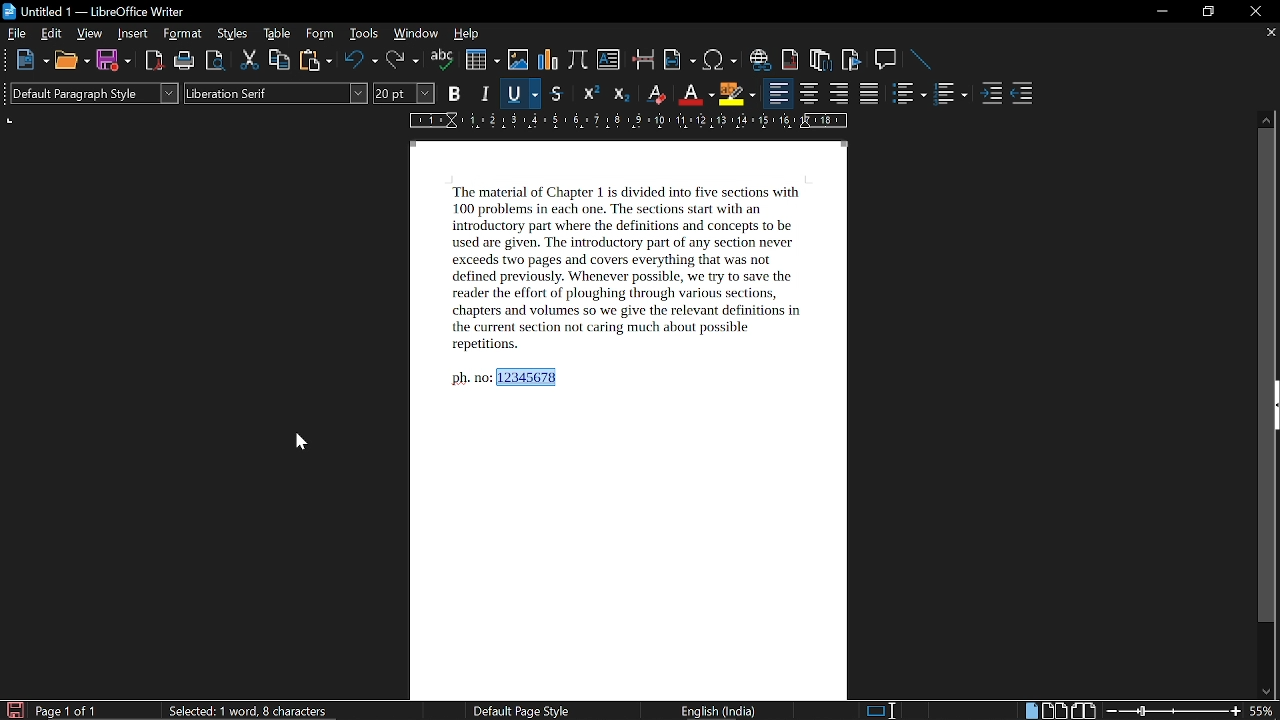  I want to click on insert comment, so click(885, 59).